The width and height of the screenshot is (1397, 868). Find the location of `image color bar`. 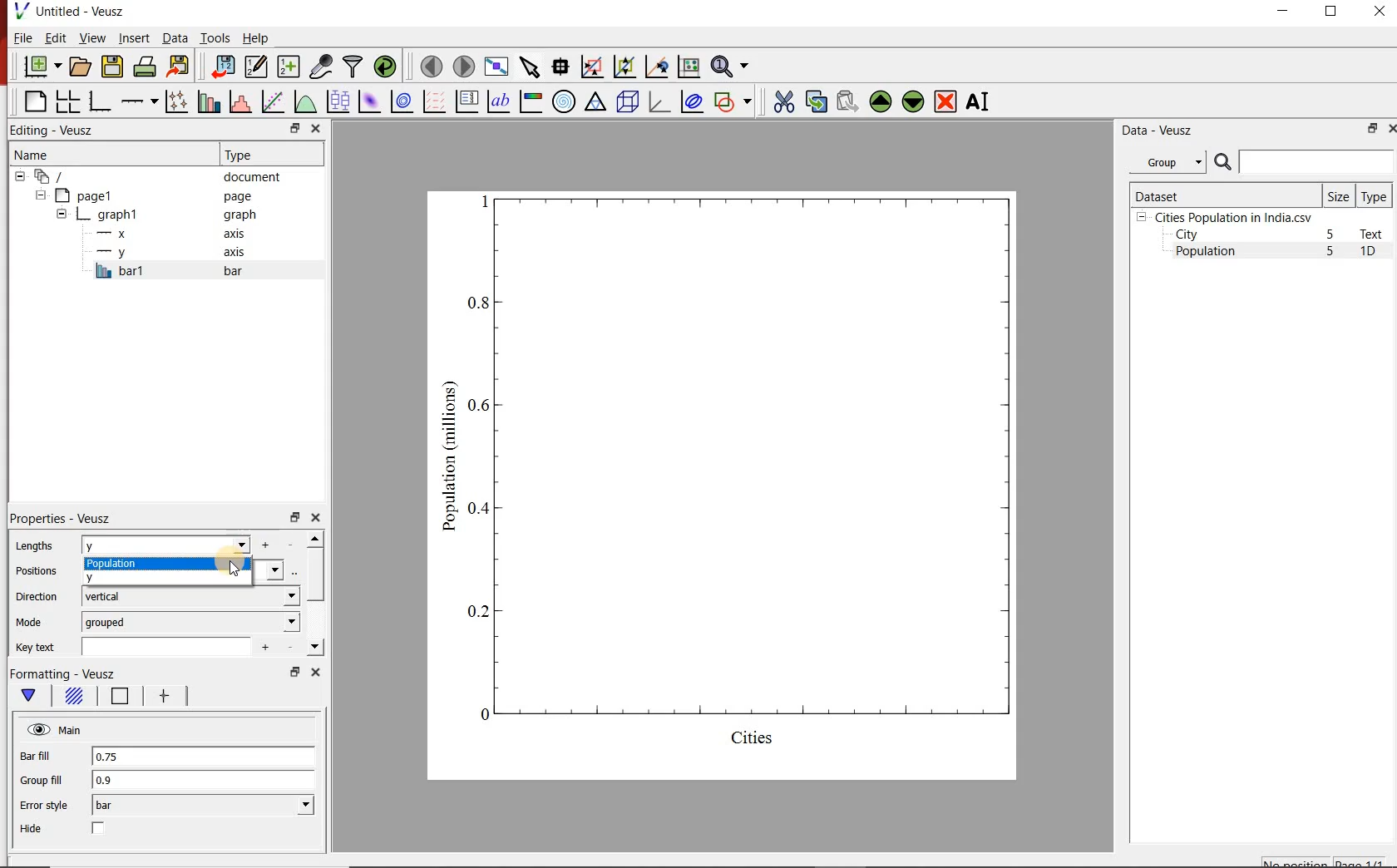

image color bar is located at coordinates (531, 101).